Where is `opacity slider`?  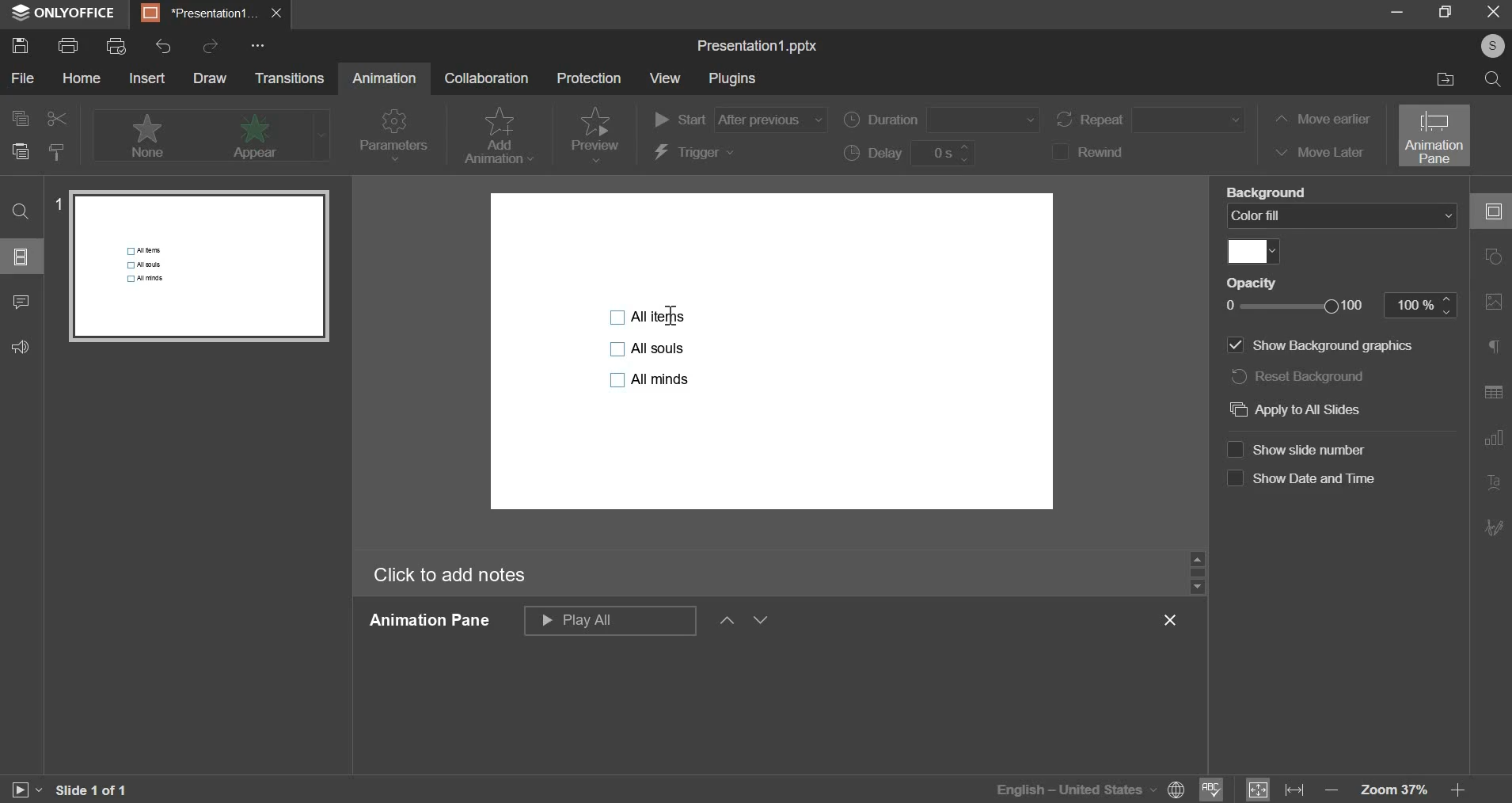 opacity slider is located at coordinates (1334, 305).